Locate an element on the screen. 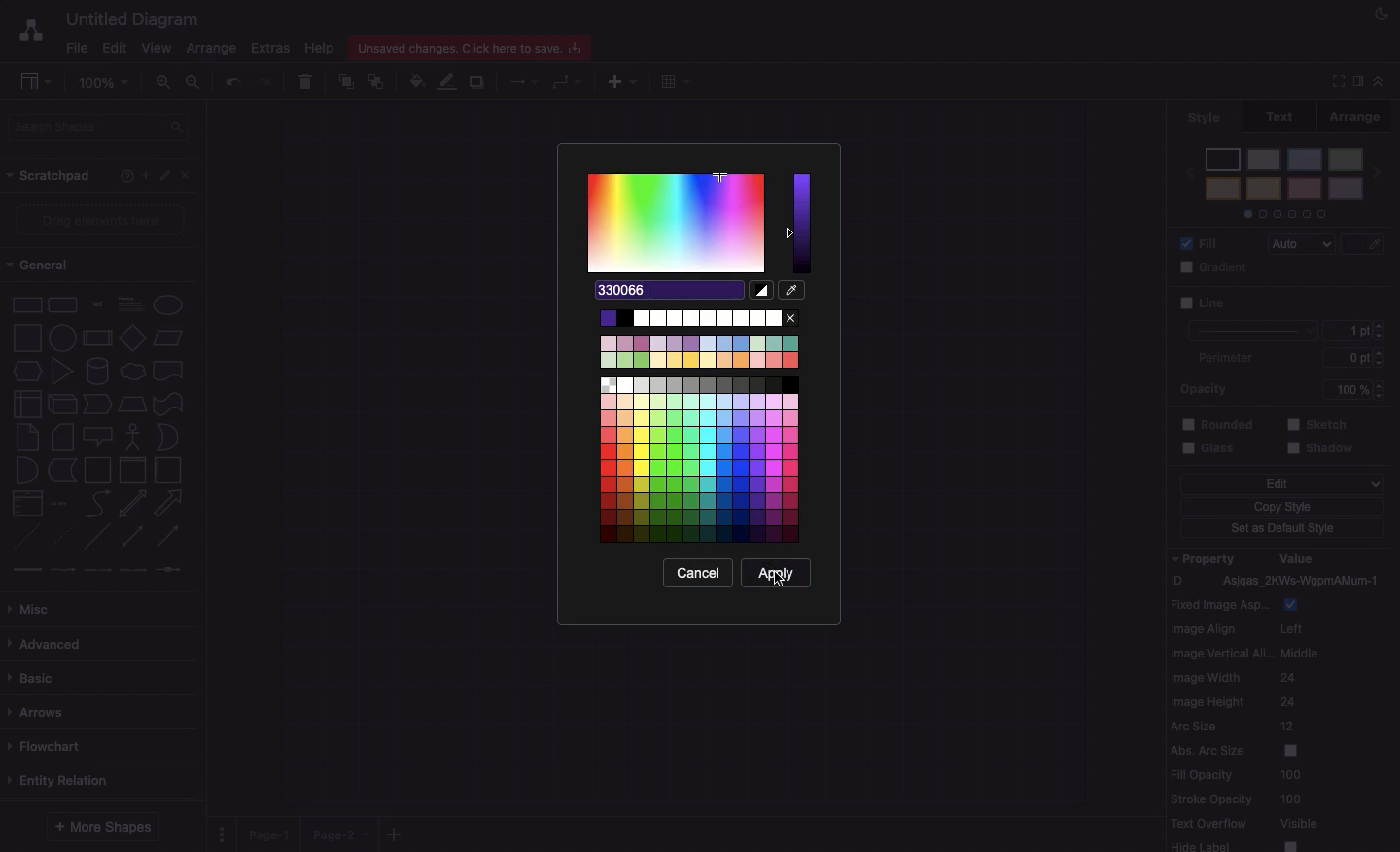  Edit is located at coordinates (1281, 484).